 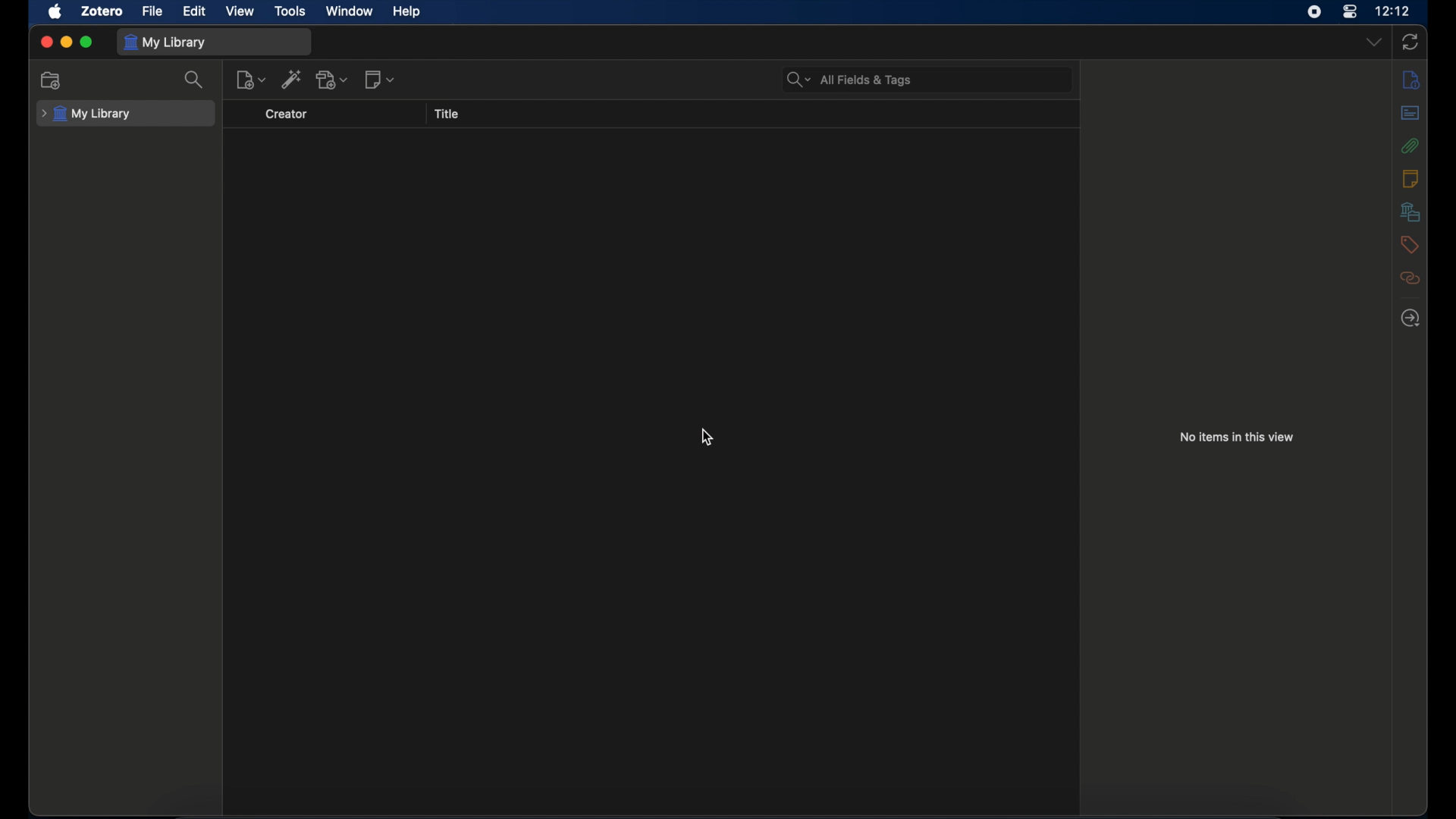 What do you see at coordinates (1375, 41) in the screenshot?
I see `drop-down` at bounding box center [1375, 41].